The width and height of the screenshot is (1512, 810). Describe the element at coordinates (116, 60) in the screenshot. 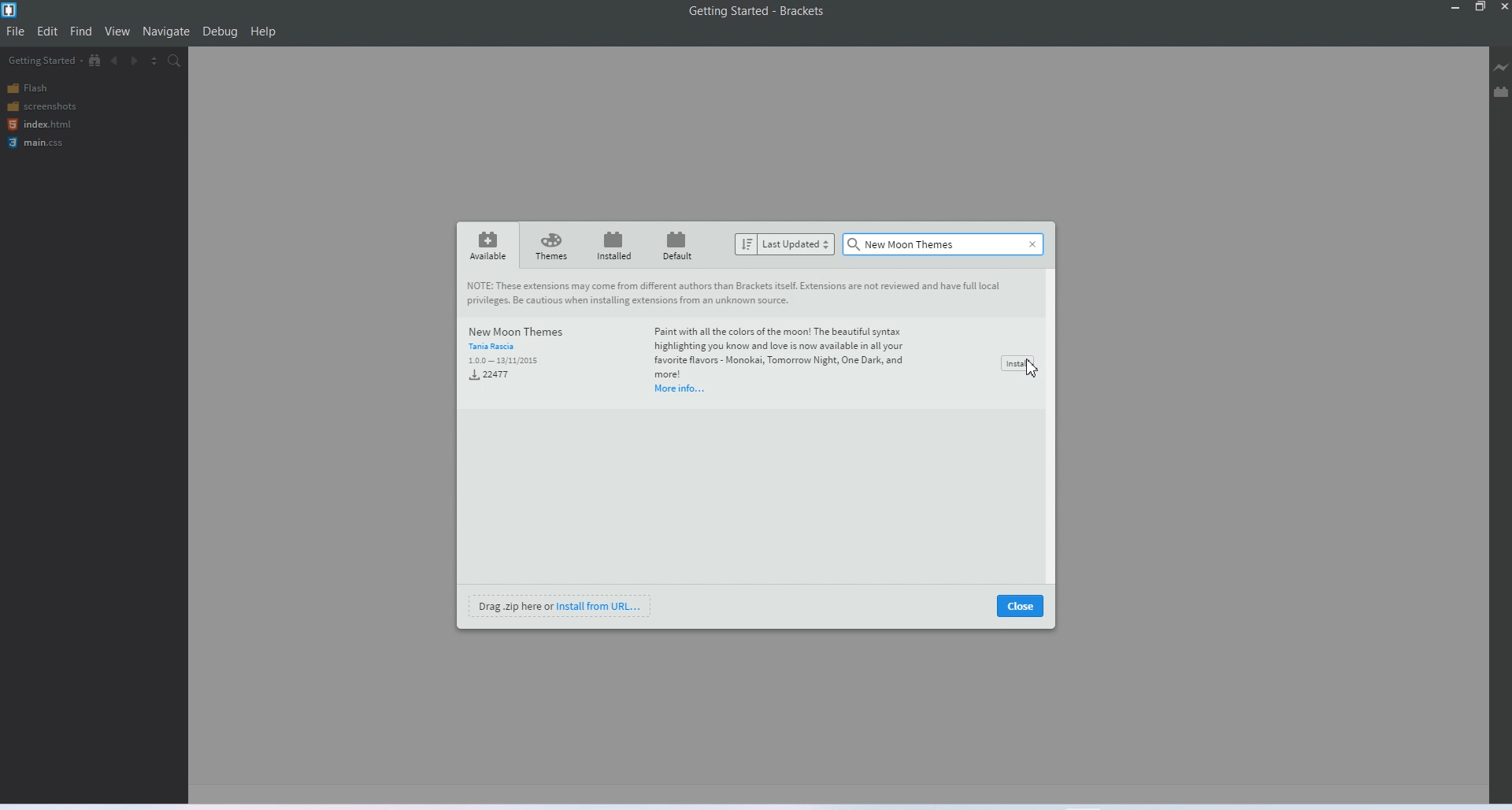

I see `Navigate backward` at that location.